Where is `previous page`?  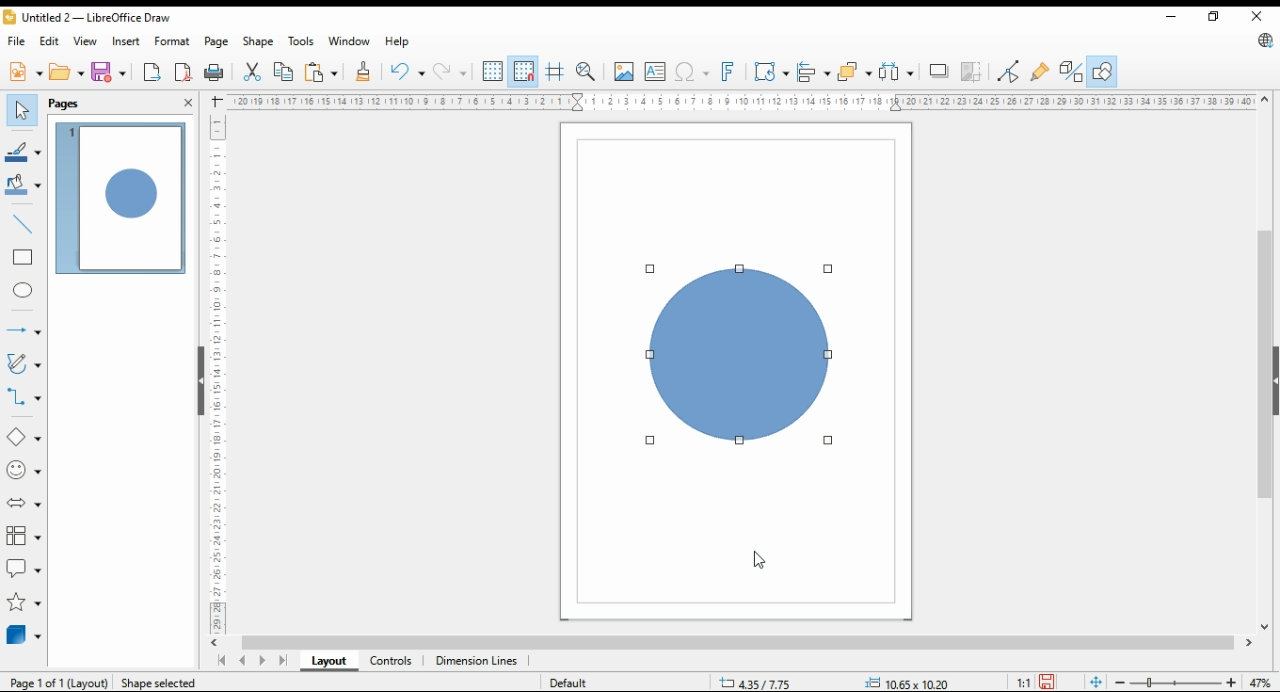 previous page is located at coordinates (243, 660).